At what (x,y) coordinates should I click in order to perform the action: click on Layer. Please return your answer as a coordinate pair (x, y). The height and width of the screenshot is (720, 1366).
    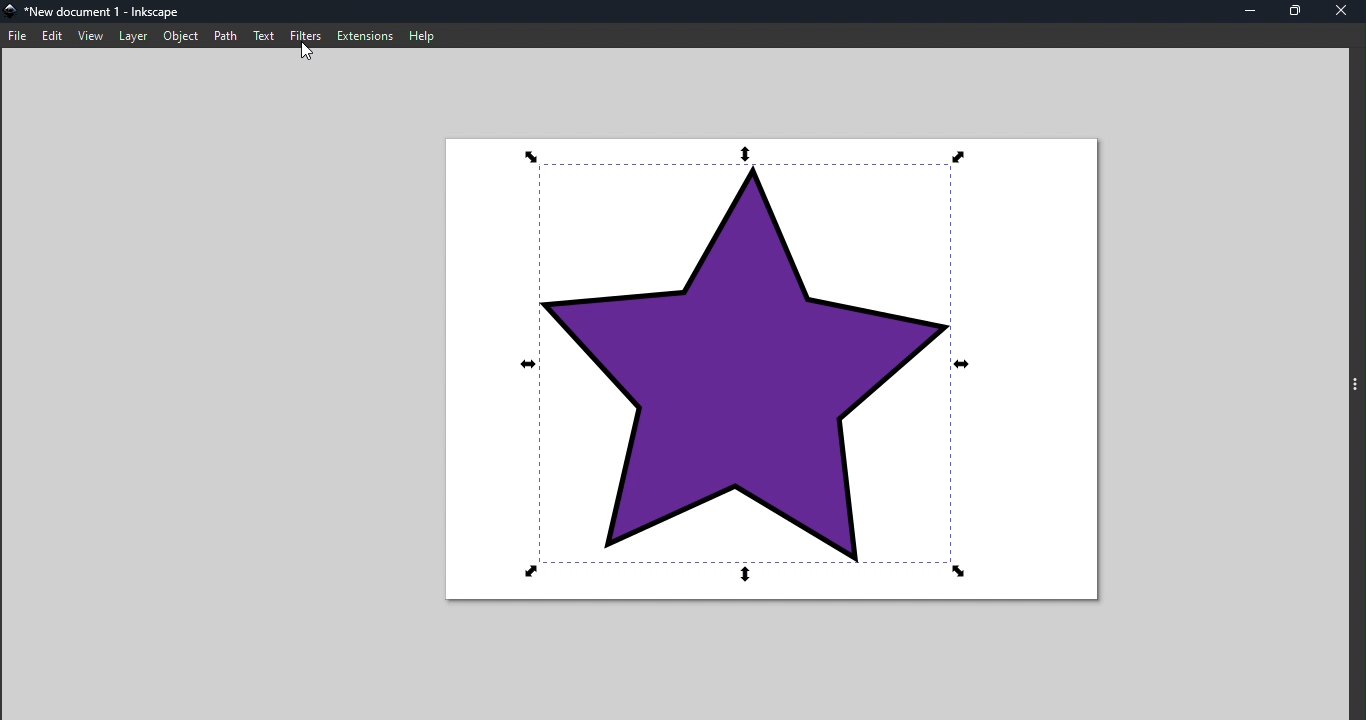
    Looking at the image, I should click on (133, 35).